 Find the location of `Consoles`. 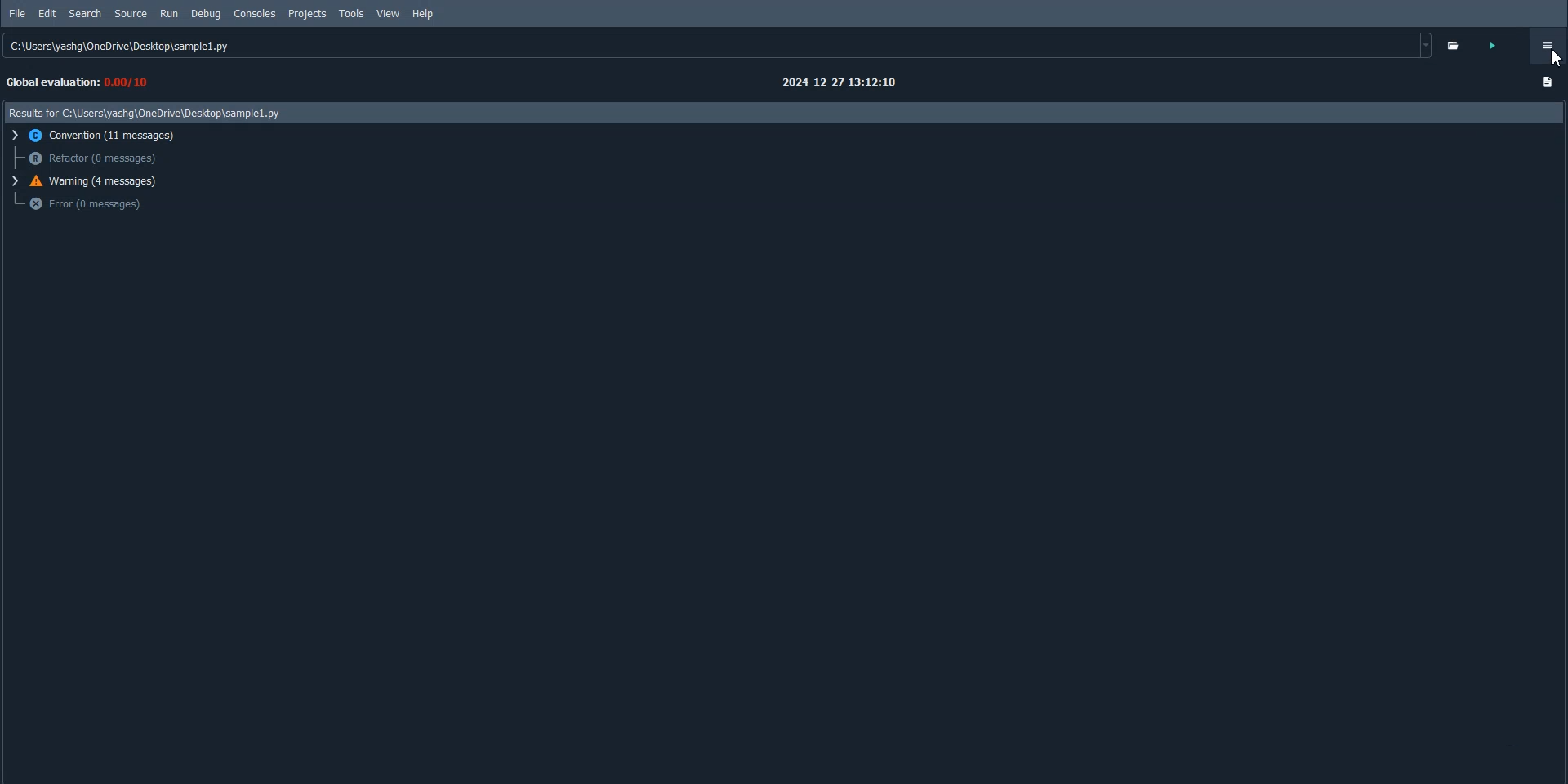

Consoles is located at coordinates (256, 14).